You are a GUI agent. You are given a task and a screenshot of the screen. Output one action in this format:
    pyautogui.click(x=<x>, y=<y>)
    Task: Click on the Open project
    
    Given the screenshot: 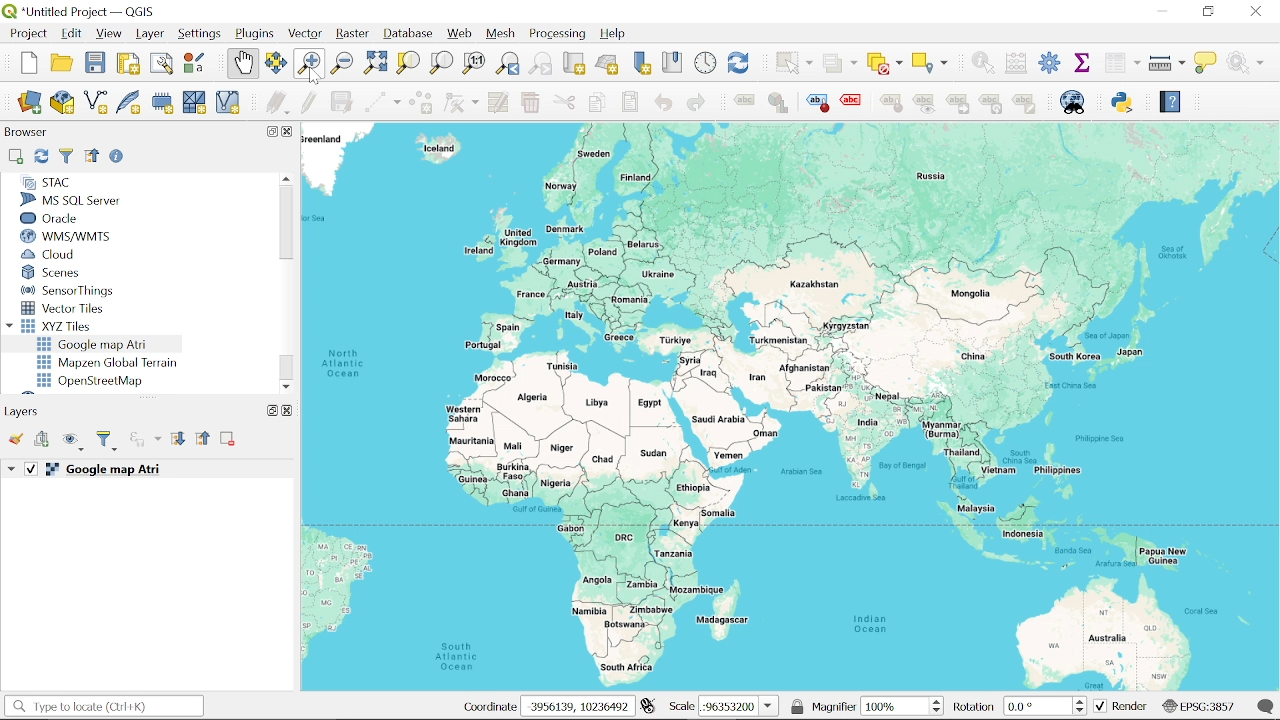 What is the action you would take?
    pyautogui.click(x=64, y=63)
    